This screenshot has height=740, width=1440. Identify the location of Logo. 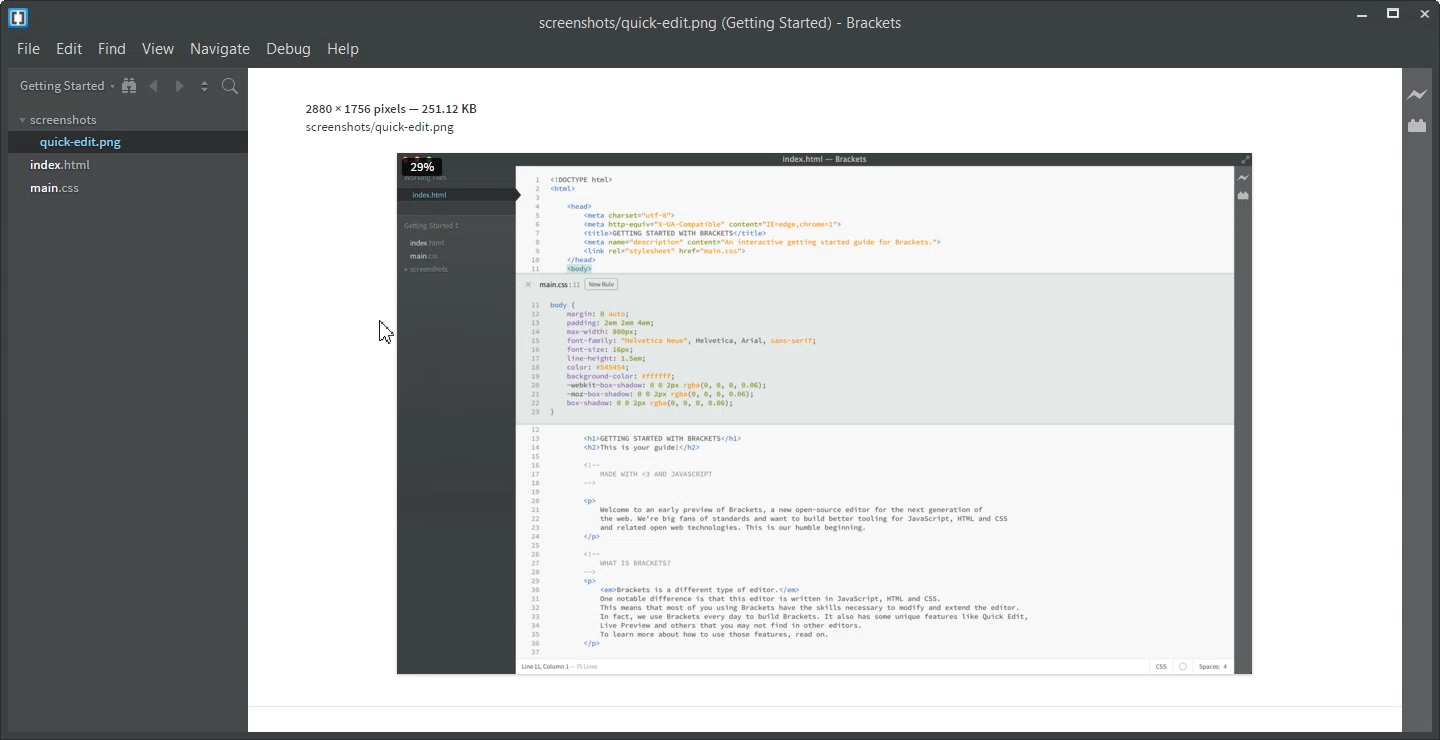
(18, 17).